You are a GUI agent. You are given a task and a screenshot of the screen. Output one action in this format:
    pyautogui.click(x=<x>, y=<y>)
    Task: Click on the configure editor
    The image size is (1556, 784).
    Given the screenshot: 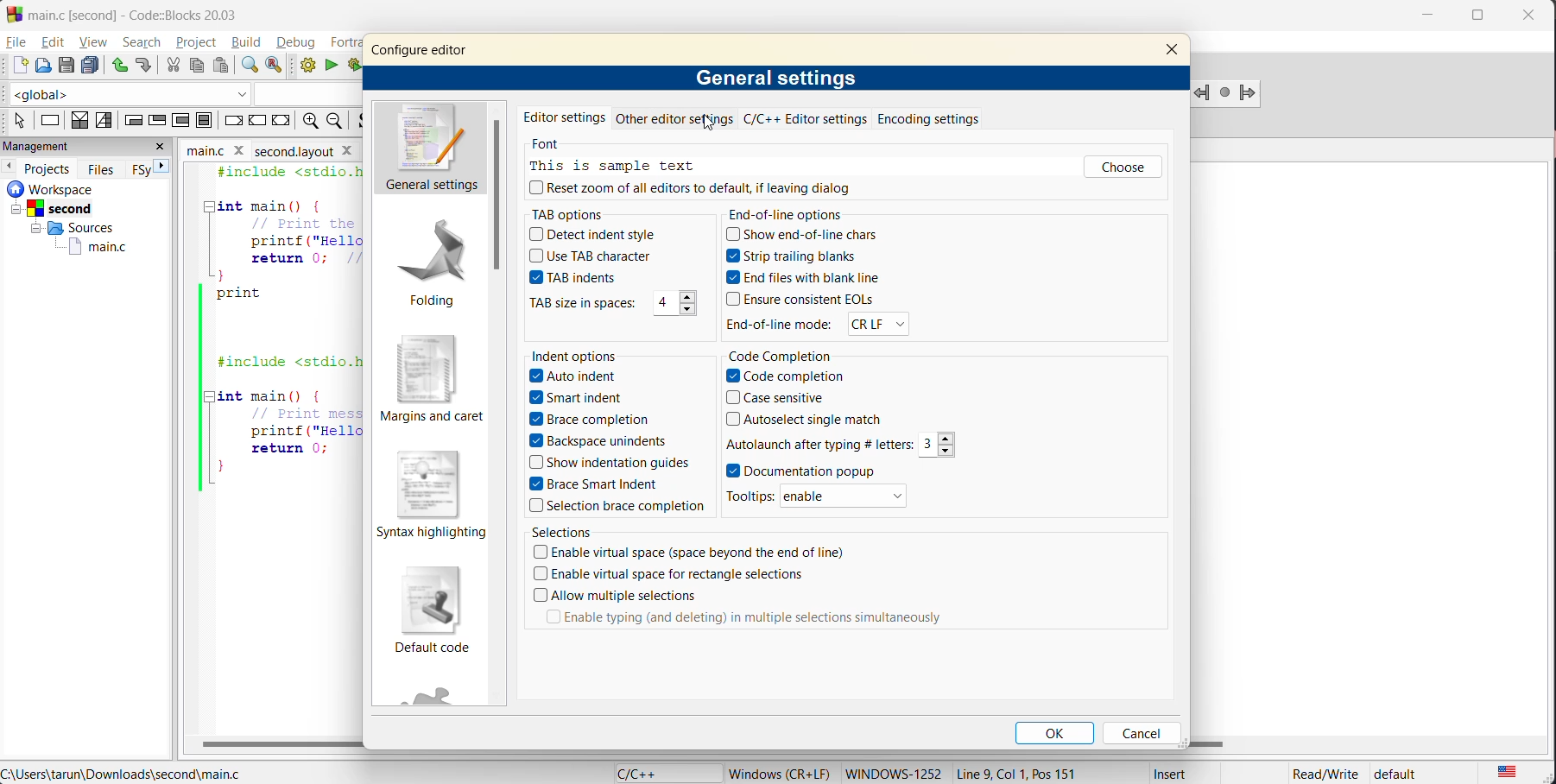 What is the action you would take?
    pyautogui.click(x=420, y=50)
    